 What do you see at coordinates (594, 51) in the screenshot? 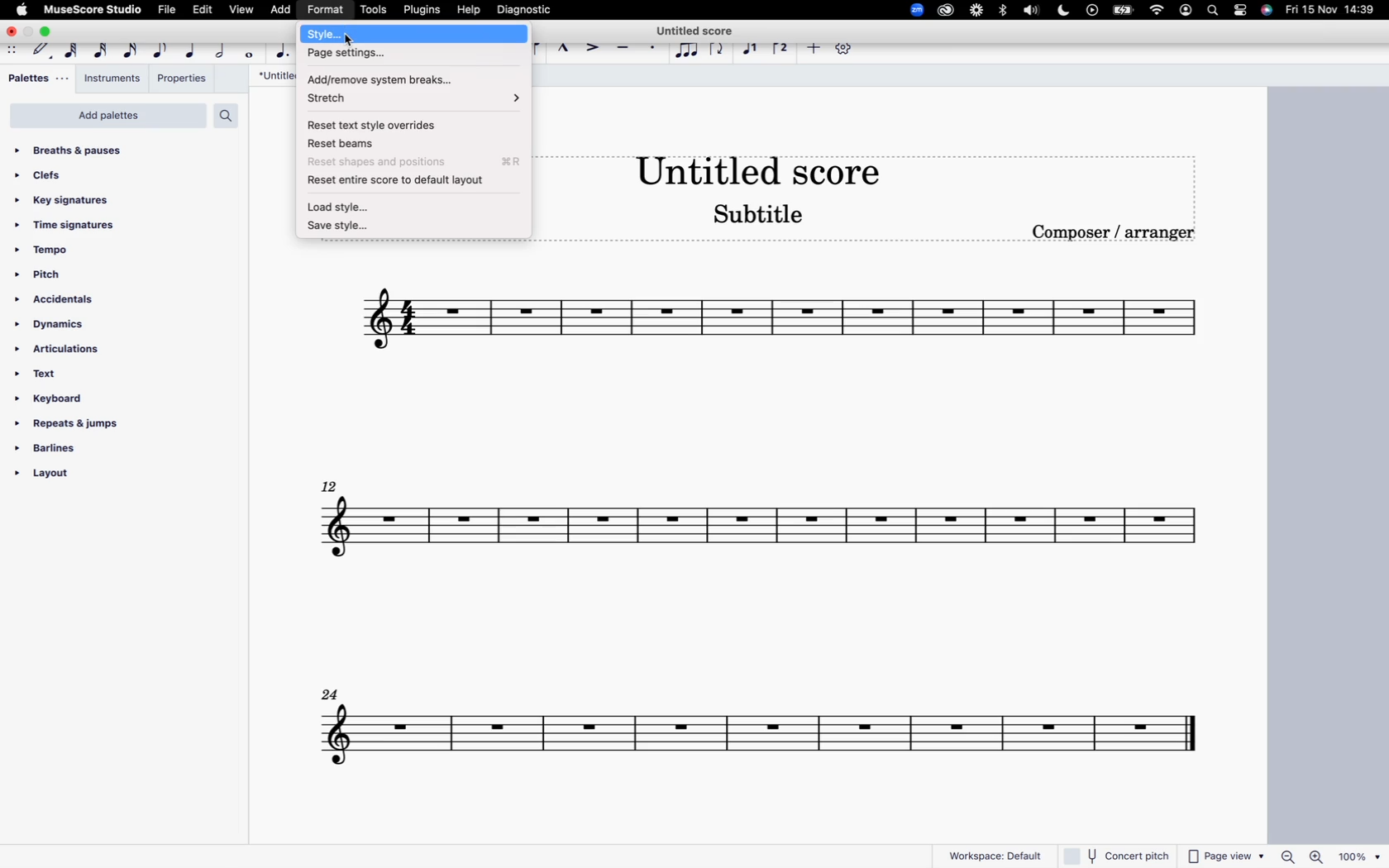
I see `accent ` at bounding box center [594, 51].